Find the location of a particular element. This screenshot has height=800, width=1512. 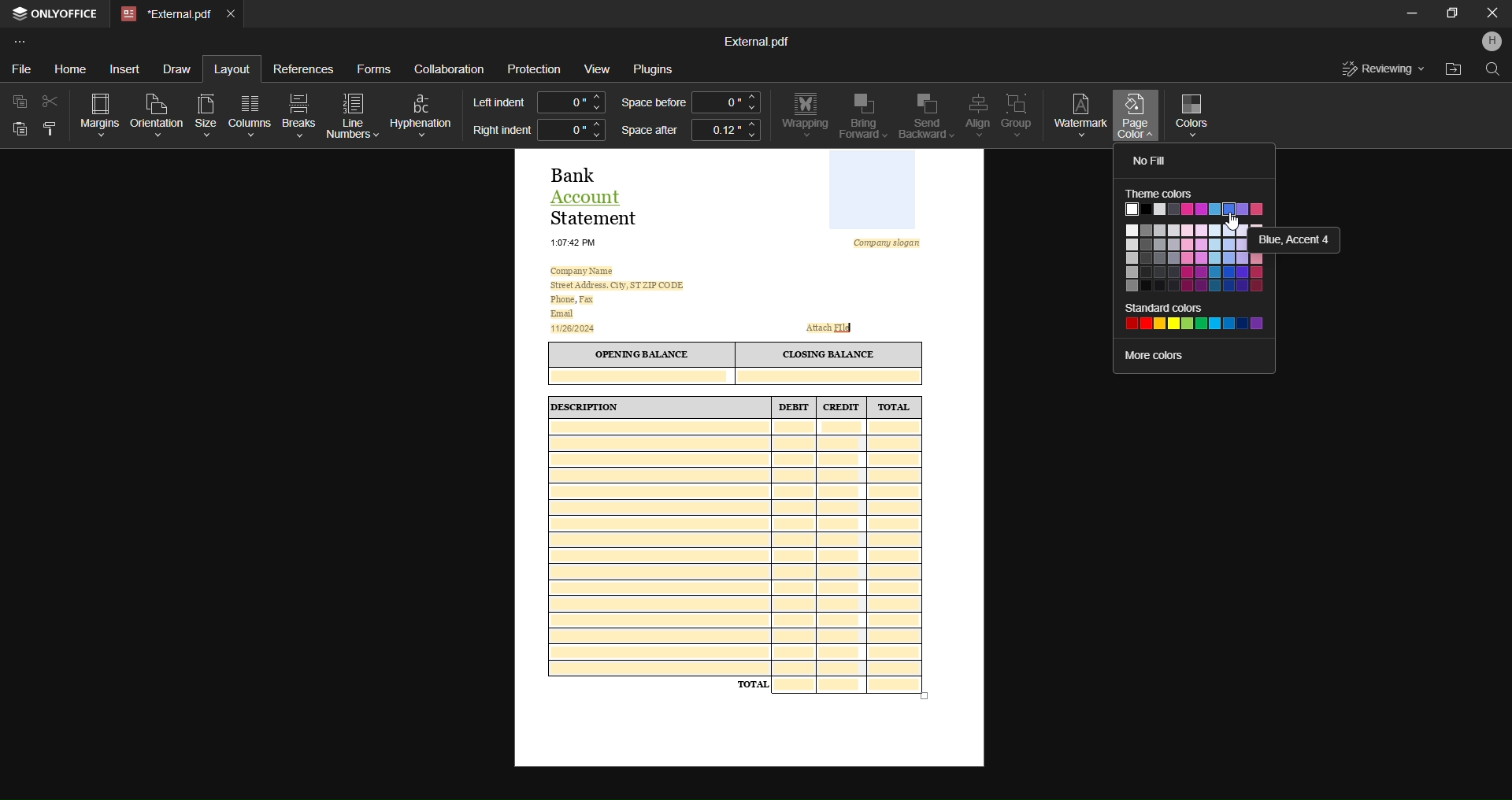

Hyphenation is located at coordinates (423, 112).